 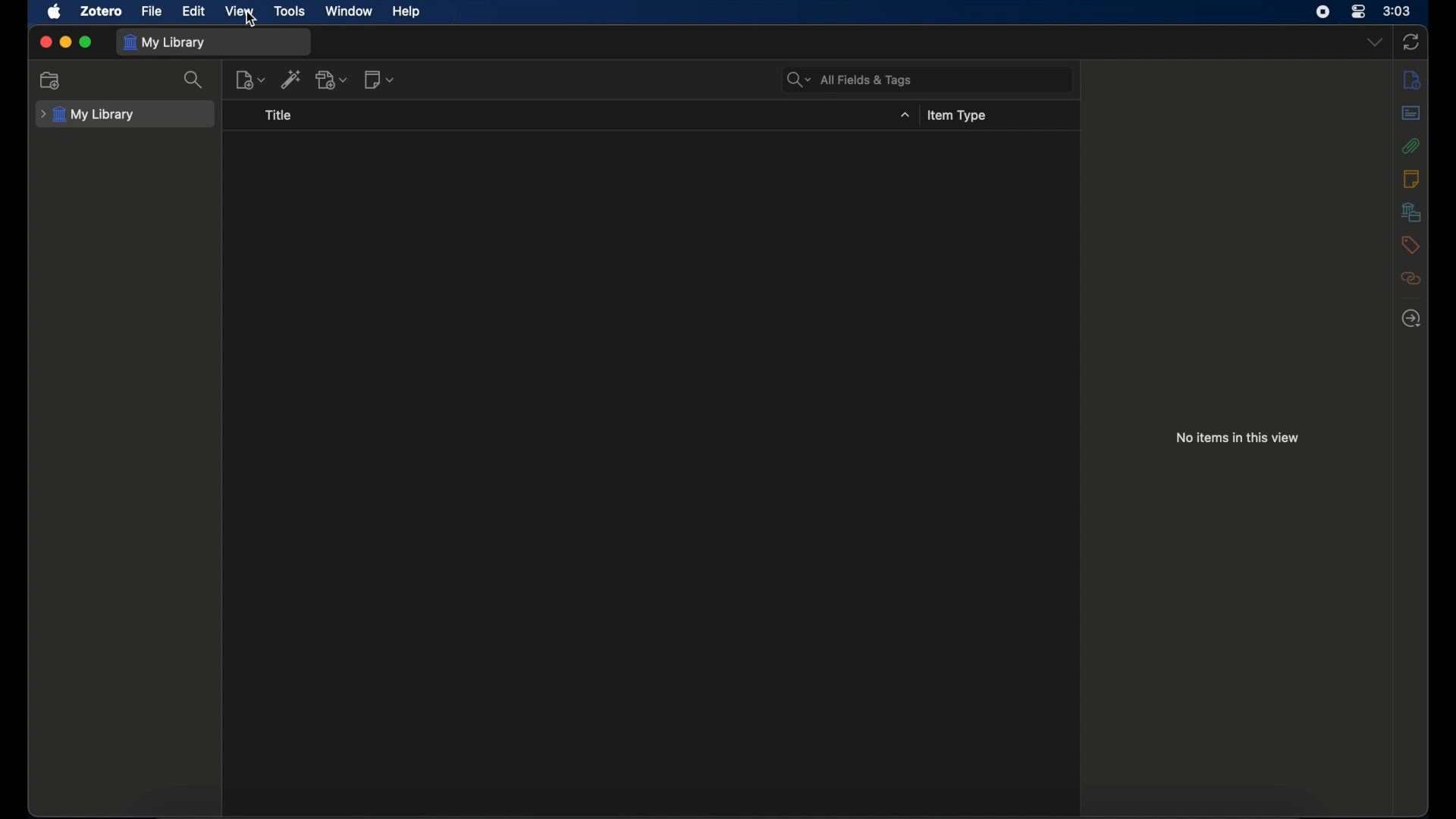 I want to click on apple icon, so click(x=56, y=11).